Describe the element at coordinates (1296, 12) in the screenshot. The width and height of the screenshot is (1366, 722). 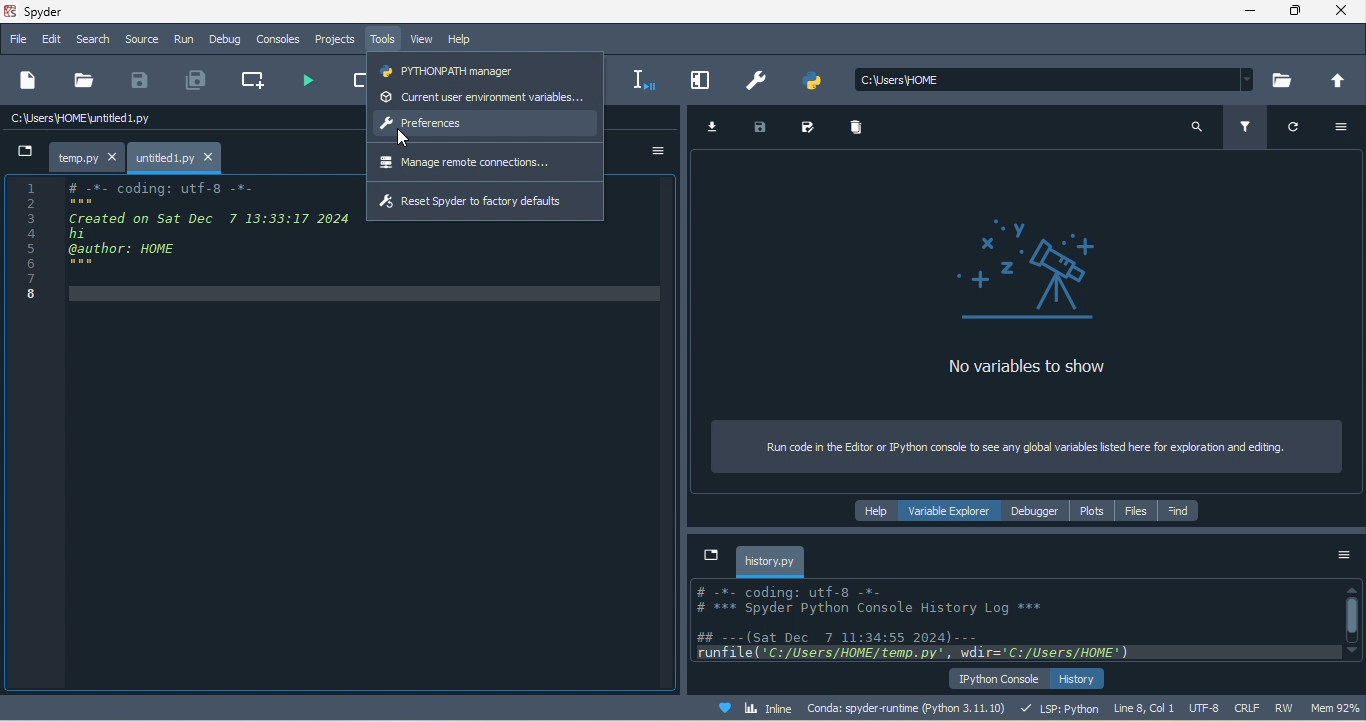
I see `maximize` at that location.